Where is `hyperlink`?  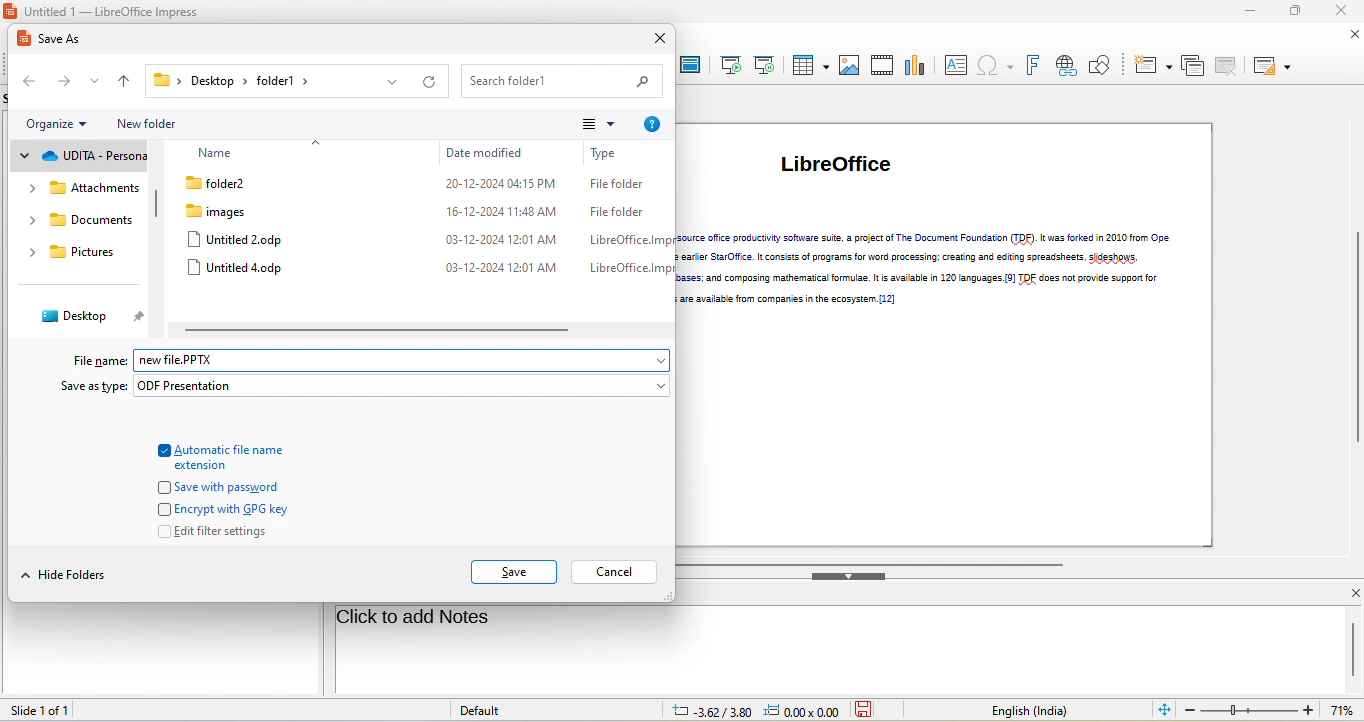
hyperlink is located at coordinates (1067, 67).